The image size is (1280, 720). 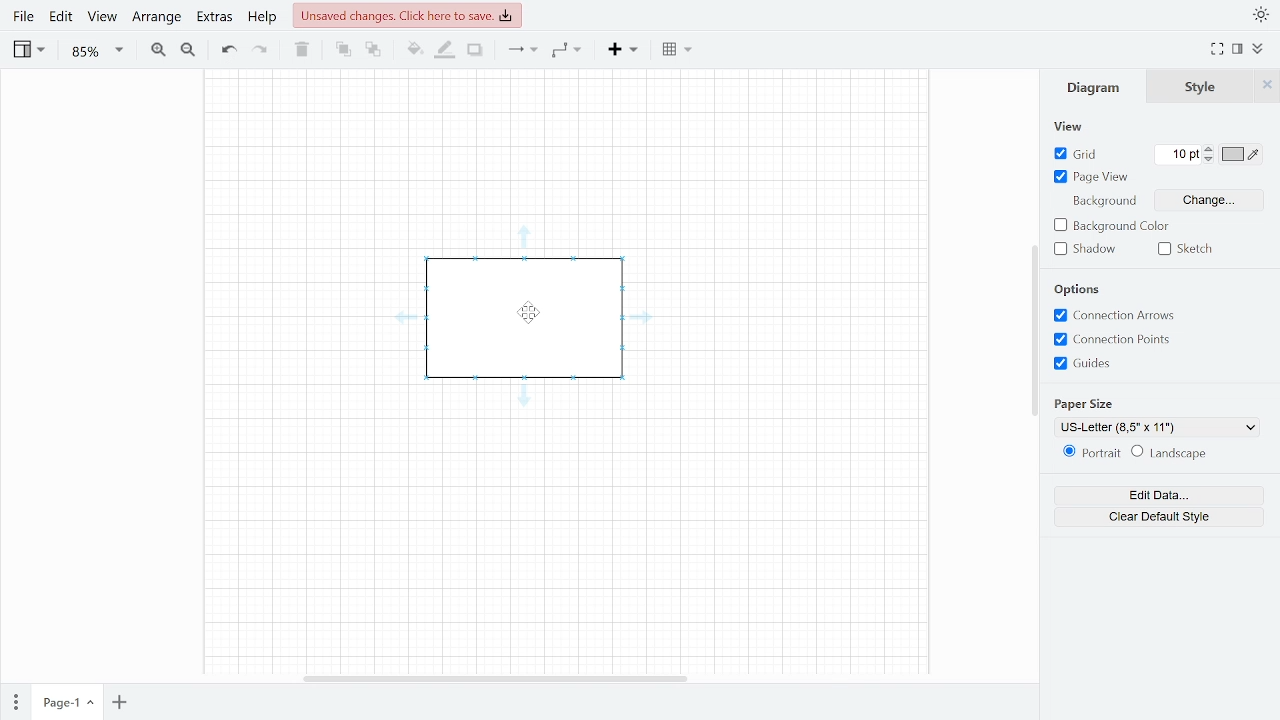 I want to click on scroll bar, so click(x=1033, y=325).